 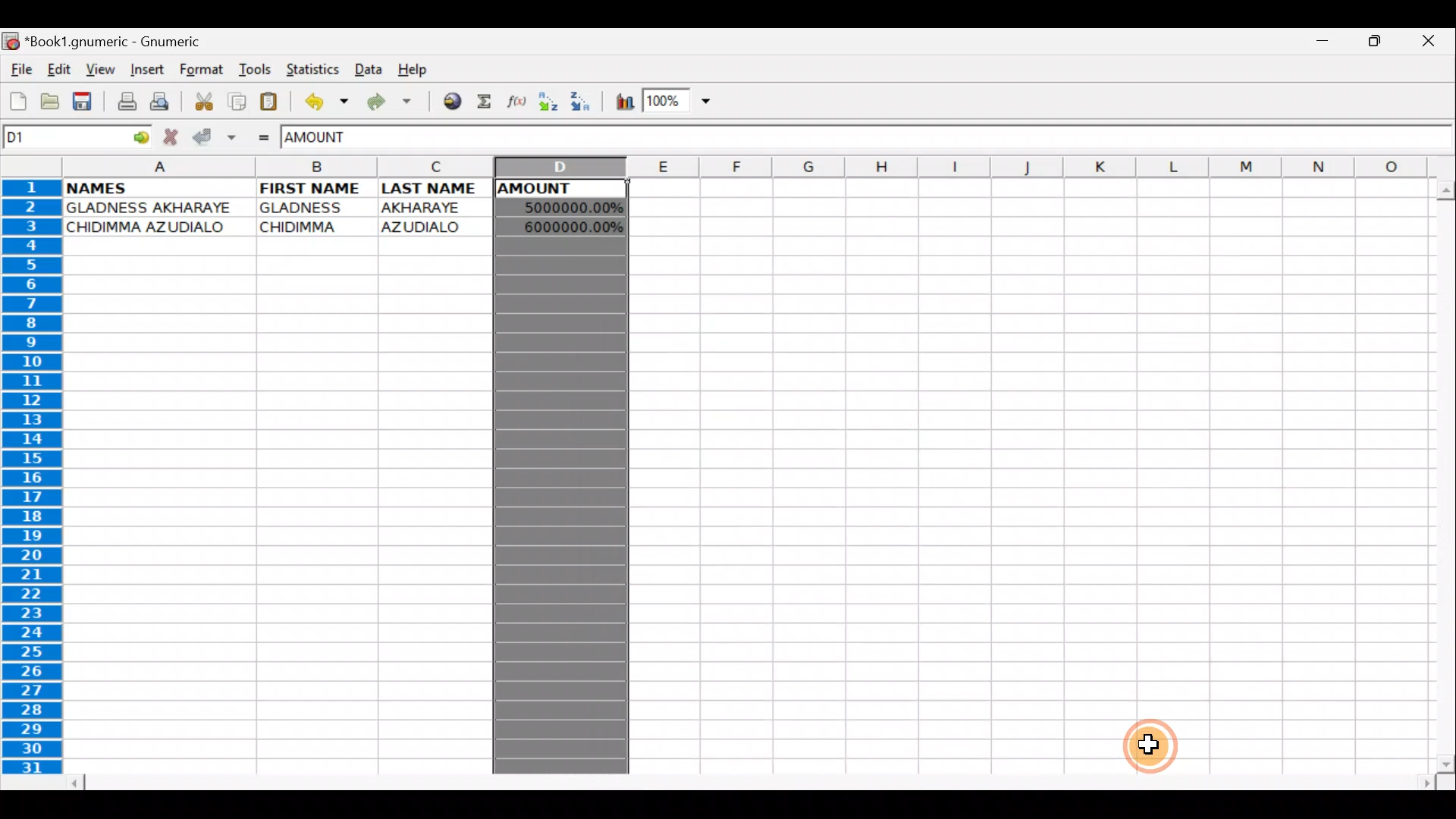 What do you see at coordinates (760, 168) in the screenshot?
I see `Columns` at bounding box center [760, 168].